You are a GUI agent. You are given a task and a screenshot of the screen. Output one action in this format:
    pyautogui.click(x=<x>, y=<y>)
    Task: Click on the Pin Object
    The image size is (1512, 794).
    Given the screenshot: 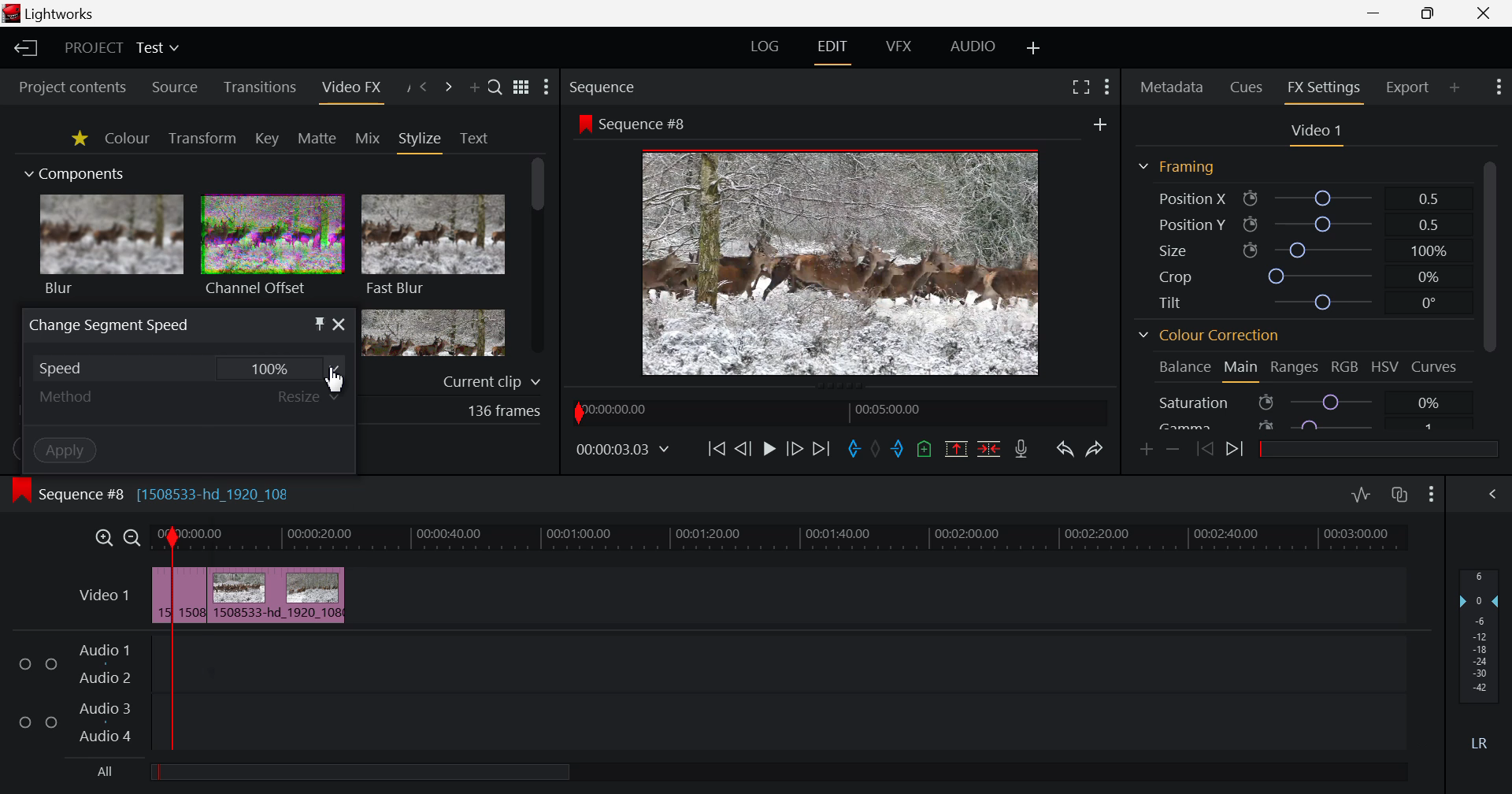 What is the action you would take?
    pyautogui.click(x=320, y=324)
    